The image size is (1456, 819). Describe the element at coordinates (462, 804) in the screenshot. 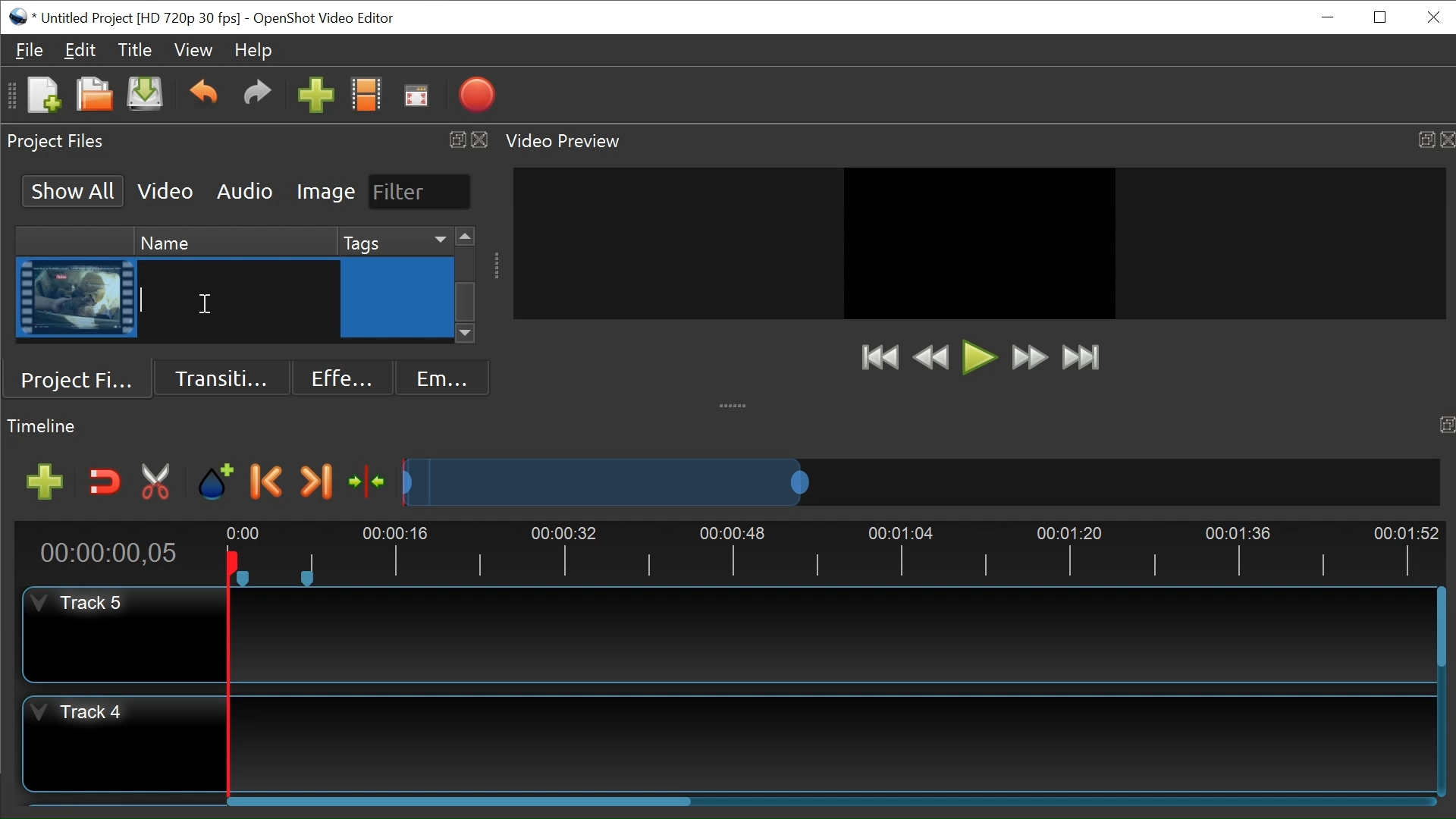

I see `Horizontal Scroll bar` at that location.